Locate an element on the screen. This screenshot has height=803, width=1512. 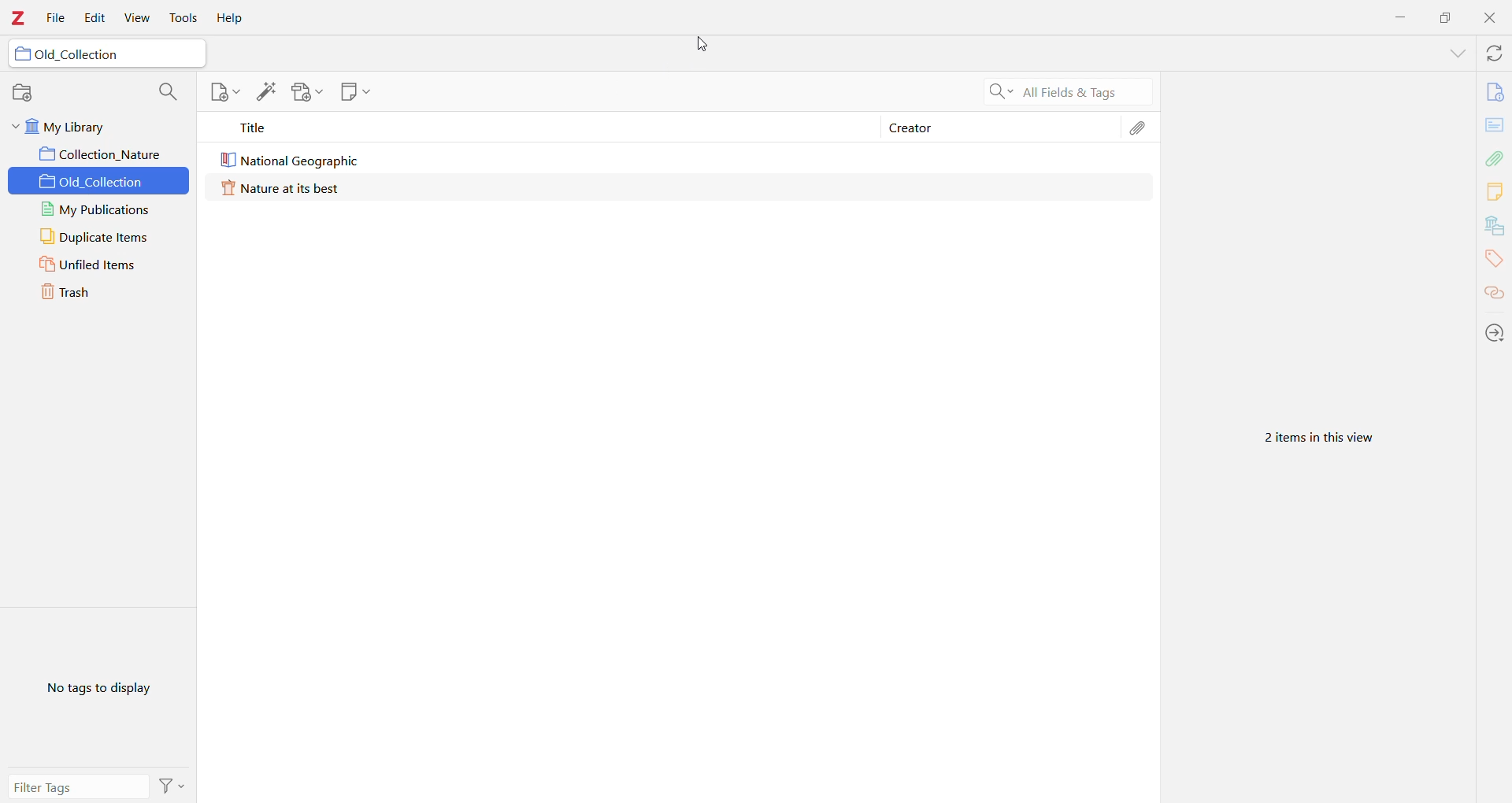
Trash is located at coordinates (100, 293).